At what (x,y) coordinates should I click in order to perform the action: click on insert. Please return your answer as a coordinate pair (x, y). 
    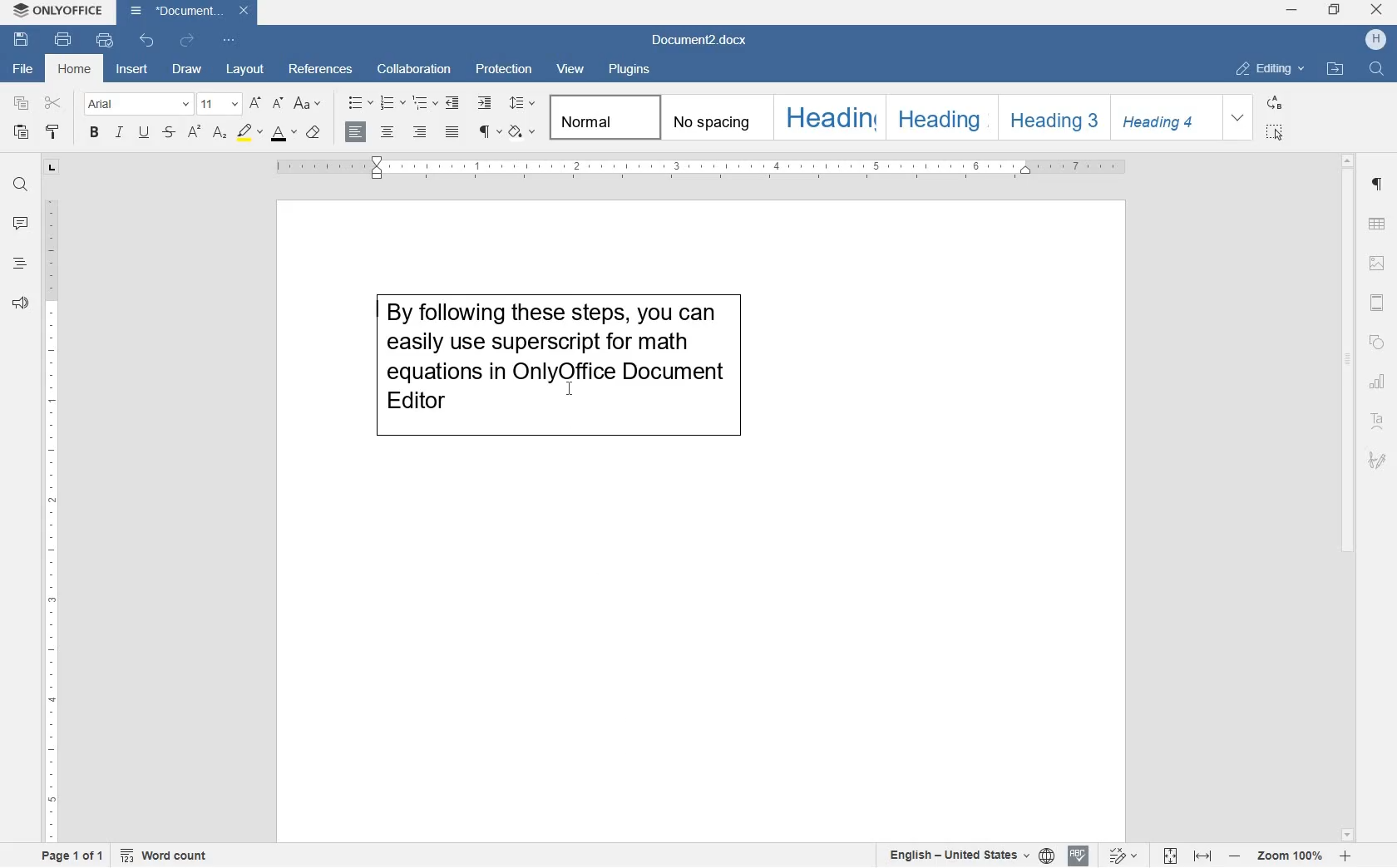
    Looking at the image, I should click on (131, 70).